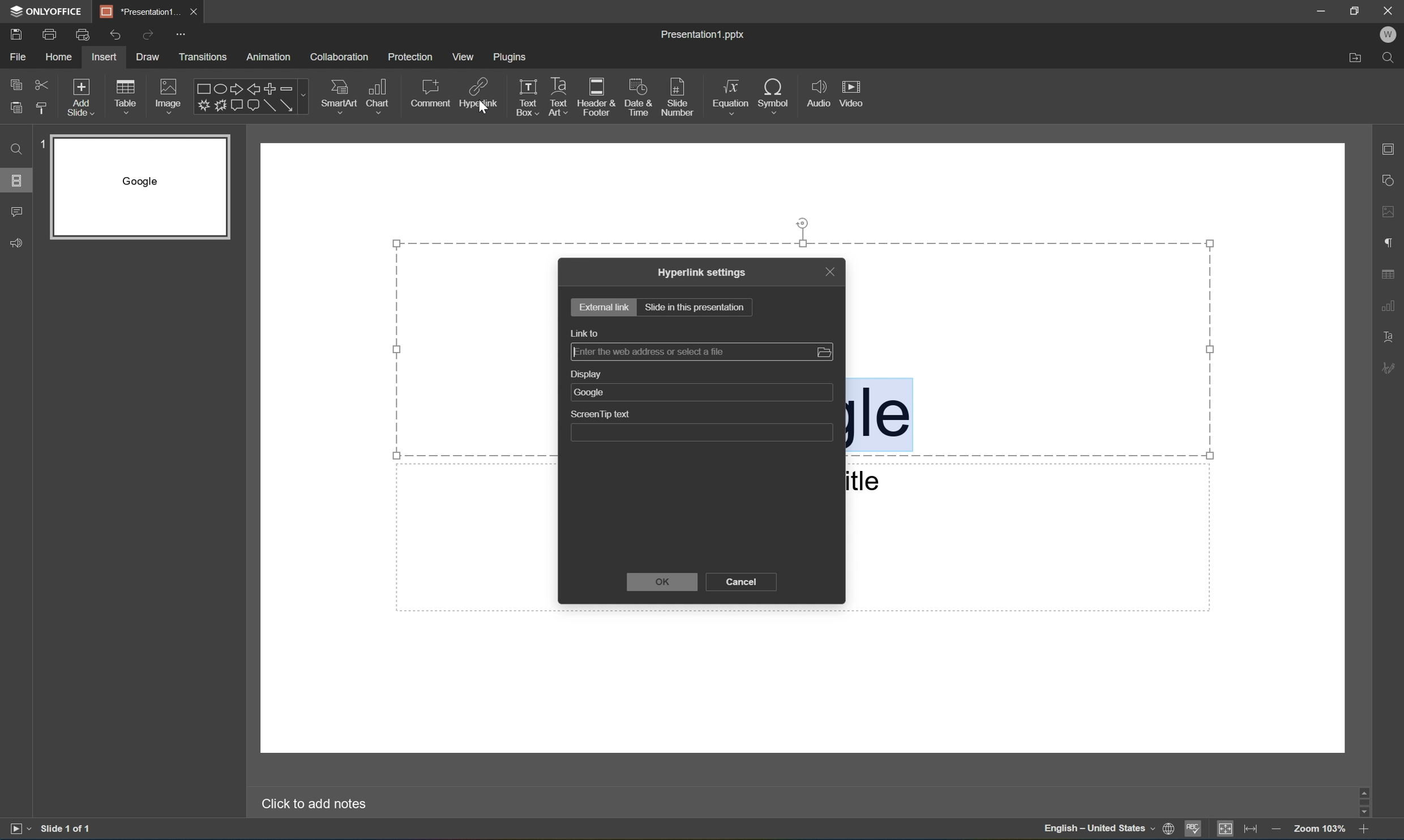 The width and height of the screenshot is (1404, 840). Describe the element at coordinates (132, 187) in the screenshot. I see `Slide 1` at that location.